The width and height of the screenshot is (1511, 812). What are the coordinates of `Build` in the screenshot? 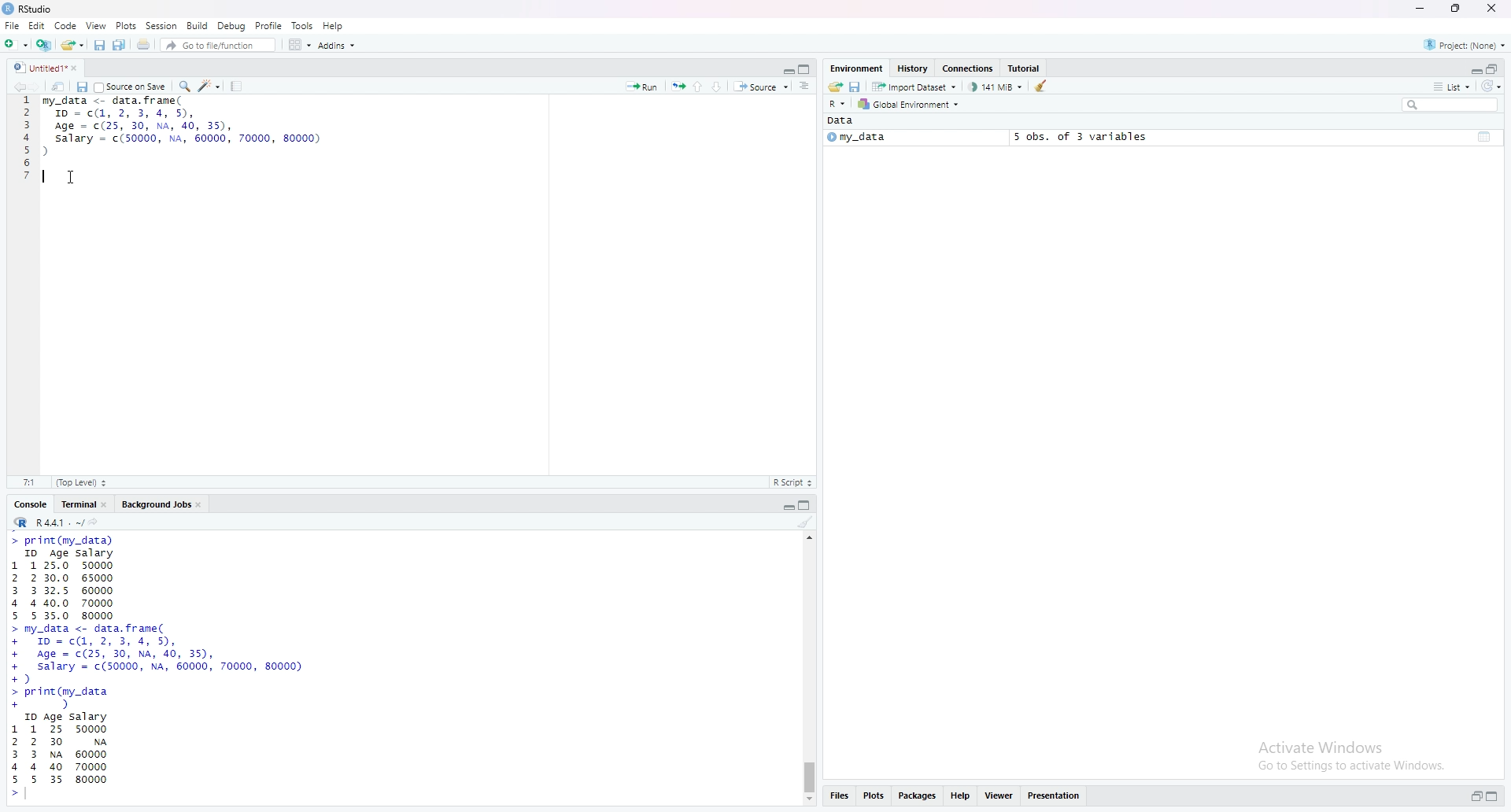 It's located at (199, 25).